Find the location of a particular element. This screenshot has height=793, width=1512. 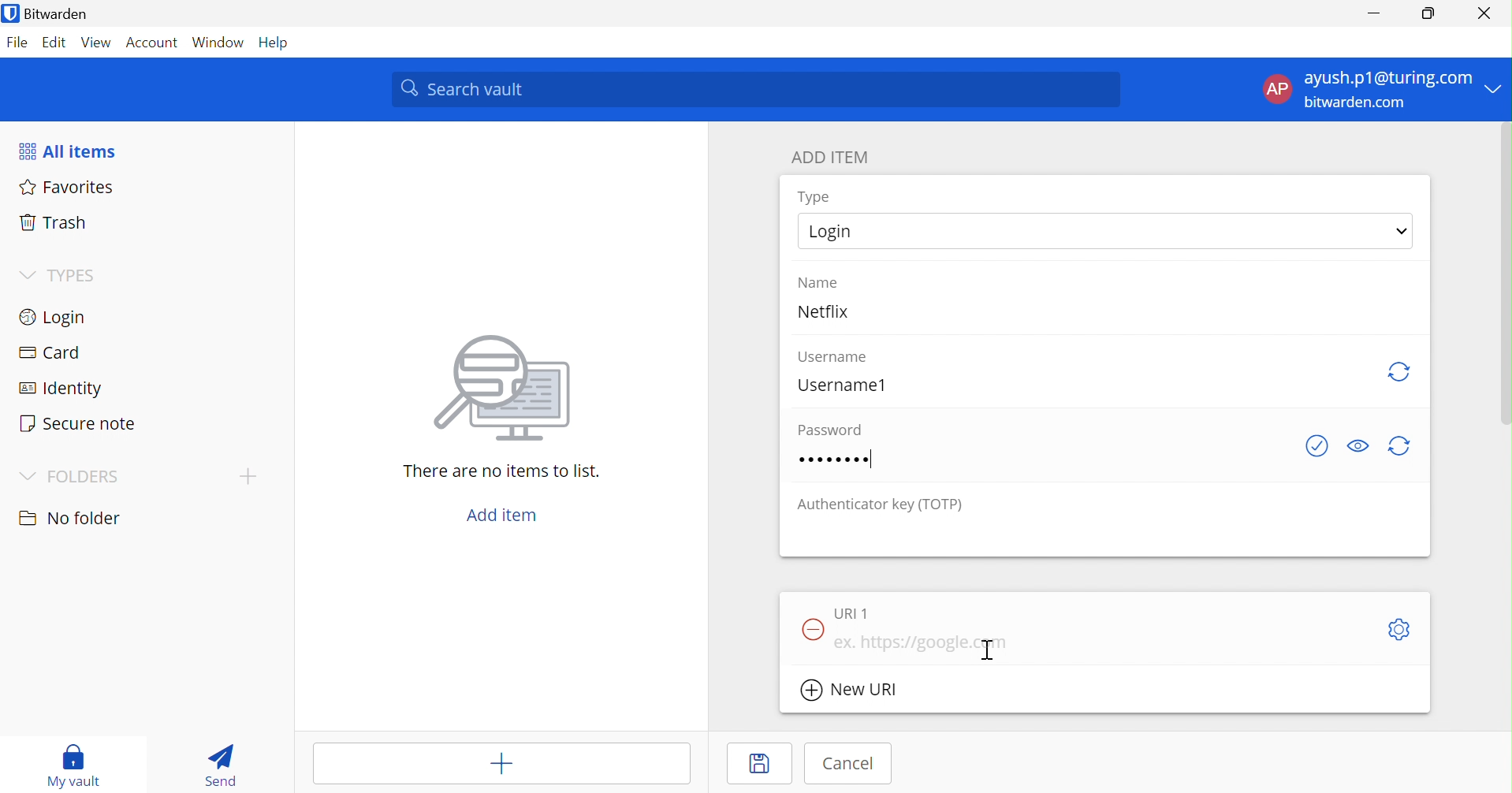

Drop down is located at coordinates (1495, 87).